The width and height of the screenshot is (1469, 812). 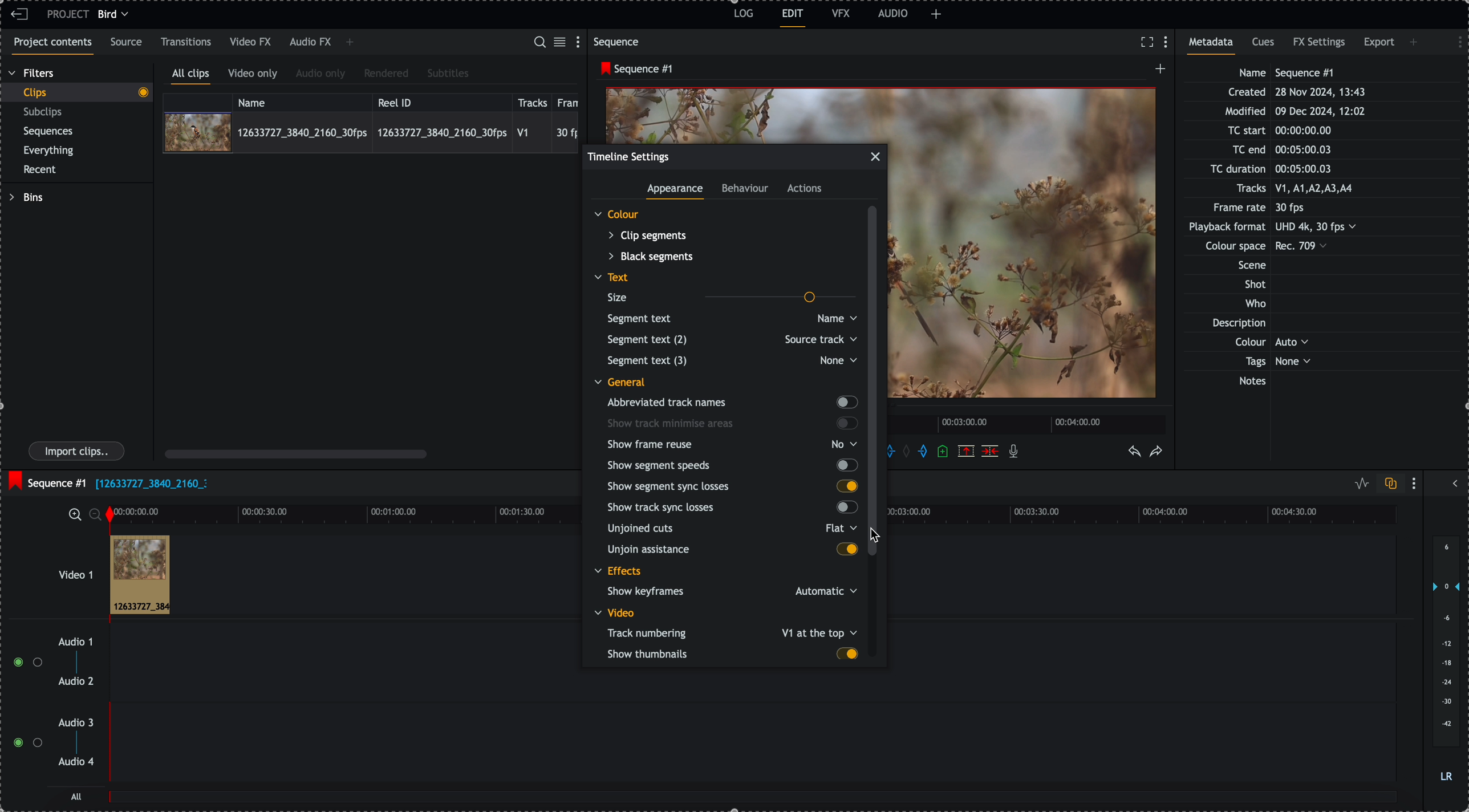 I want to click on clear marks, so click(x=910, y=452).